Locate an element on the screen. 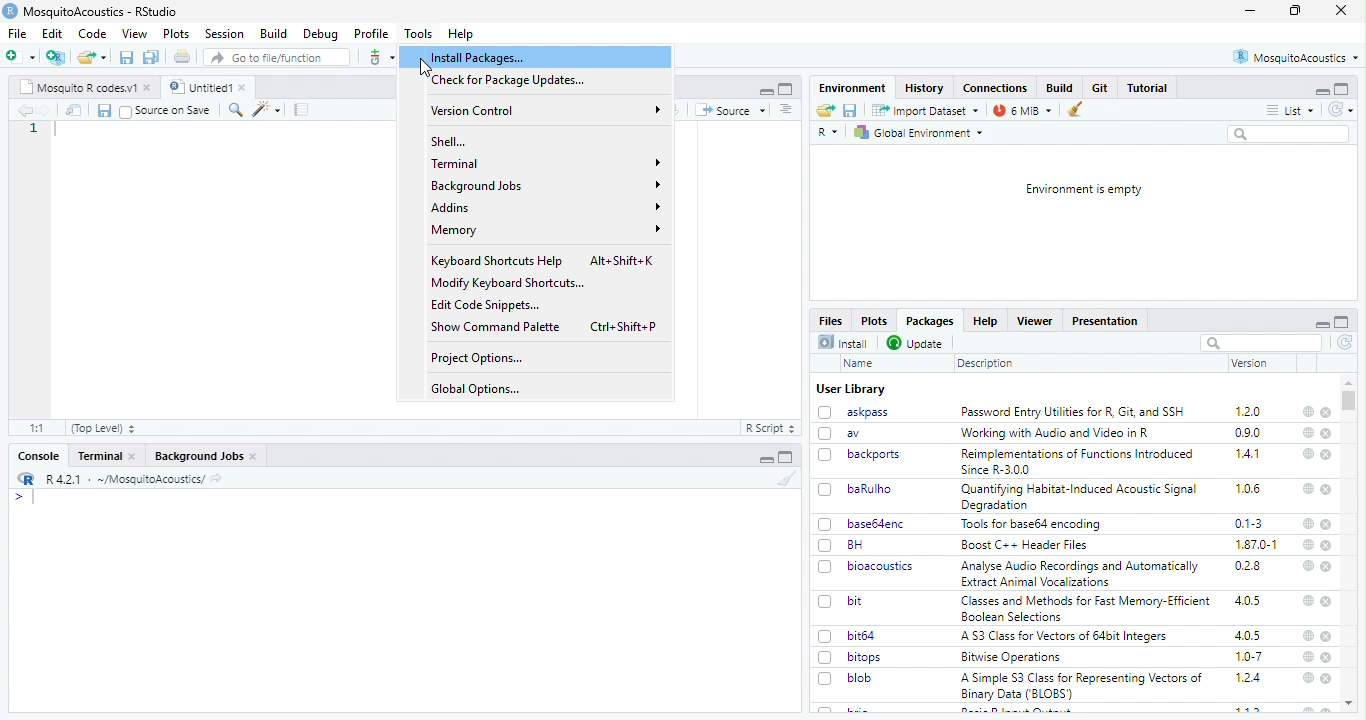  web is located at coordinates (1308, 566).